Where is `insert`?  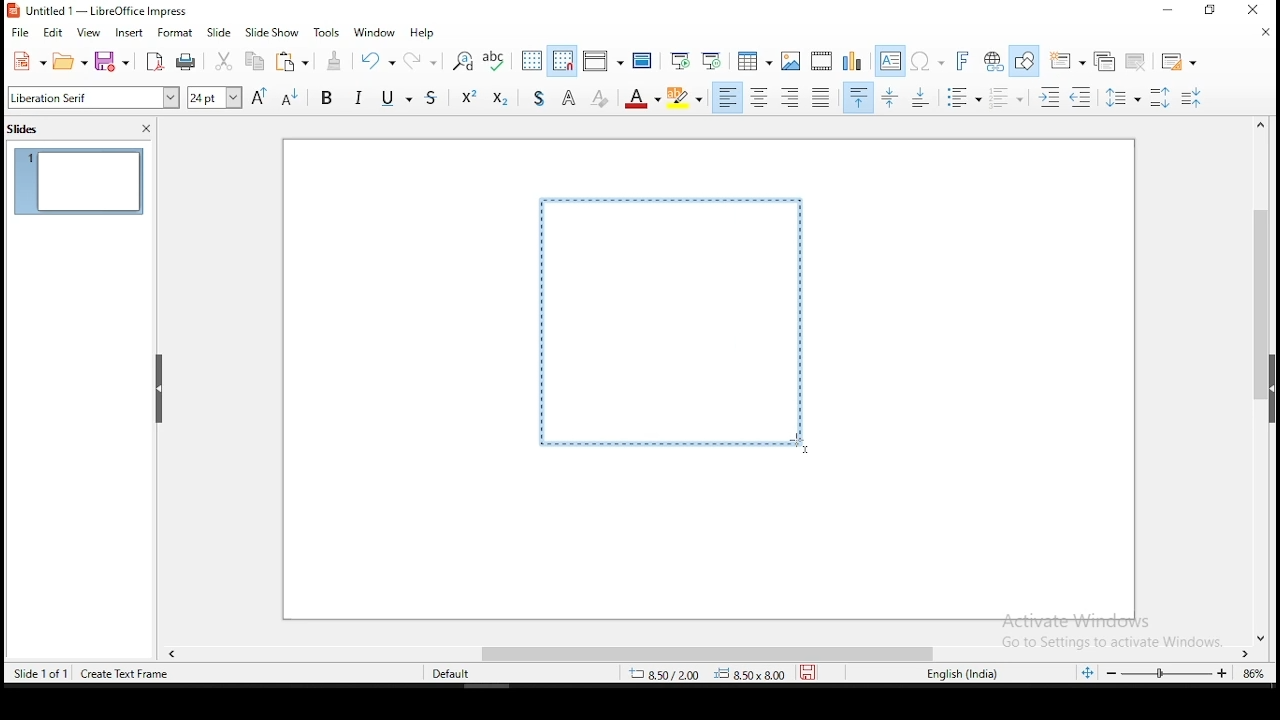 insert is located at coordinates (131, 35).